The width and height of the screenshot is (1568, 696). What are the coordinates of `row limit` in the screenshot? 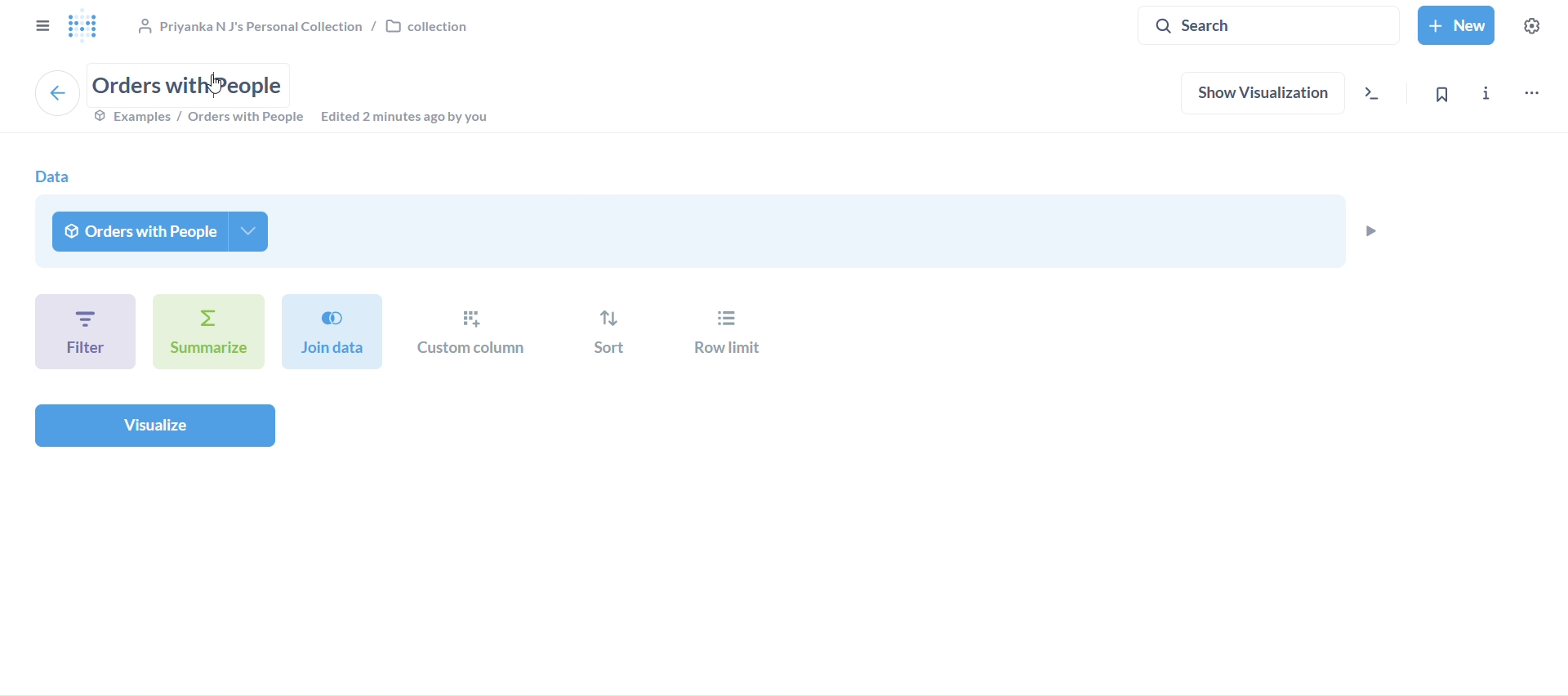 It's located at (722, 334).